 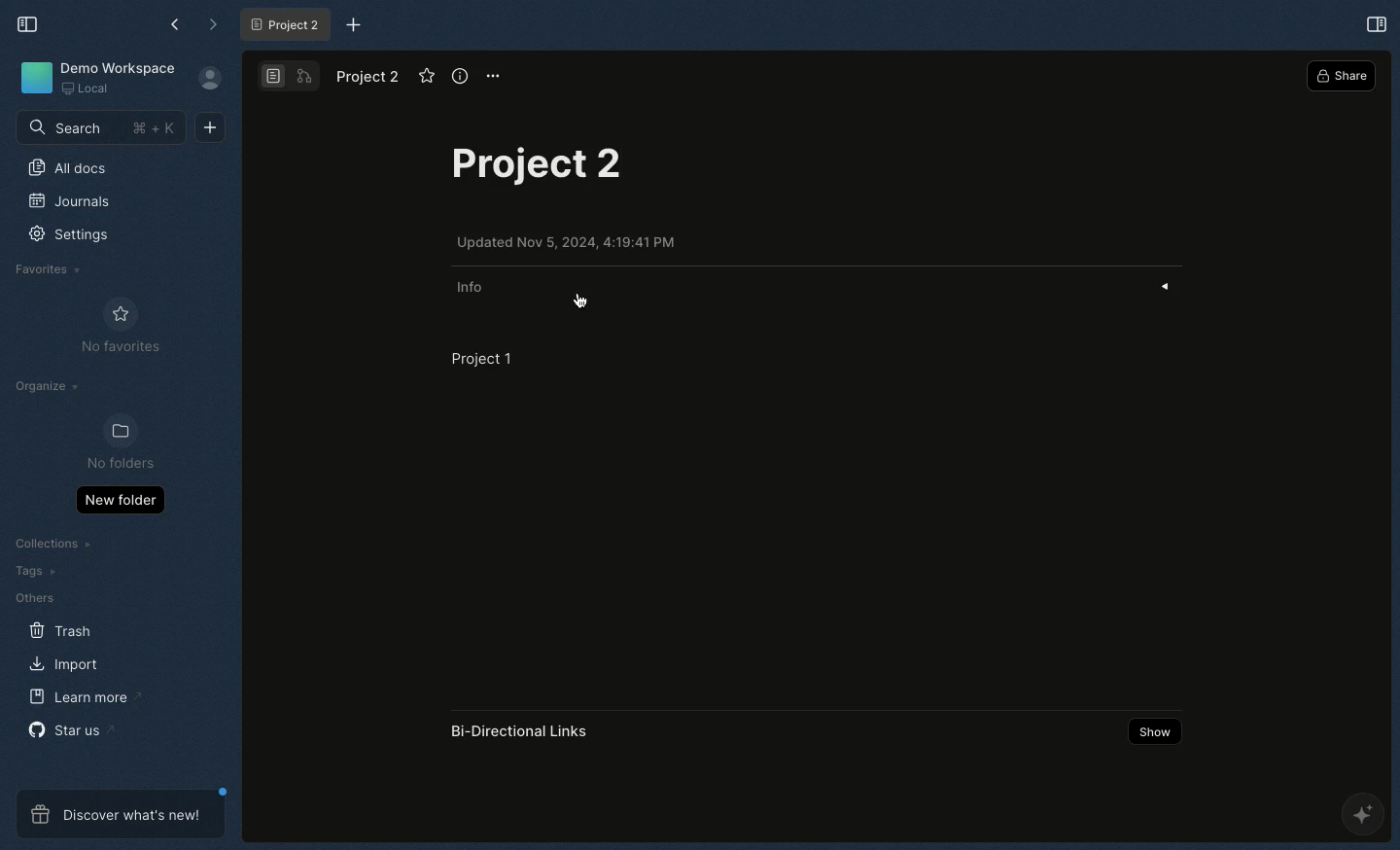 What do you see at coordinates (31, 597) in the screenshot?
I see `Others` at bounding box center [31, 597].